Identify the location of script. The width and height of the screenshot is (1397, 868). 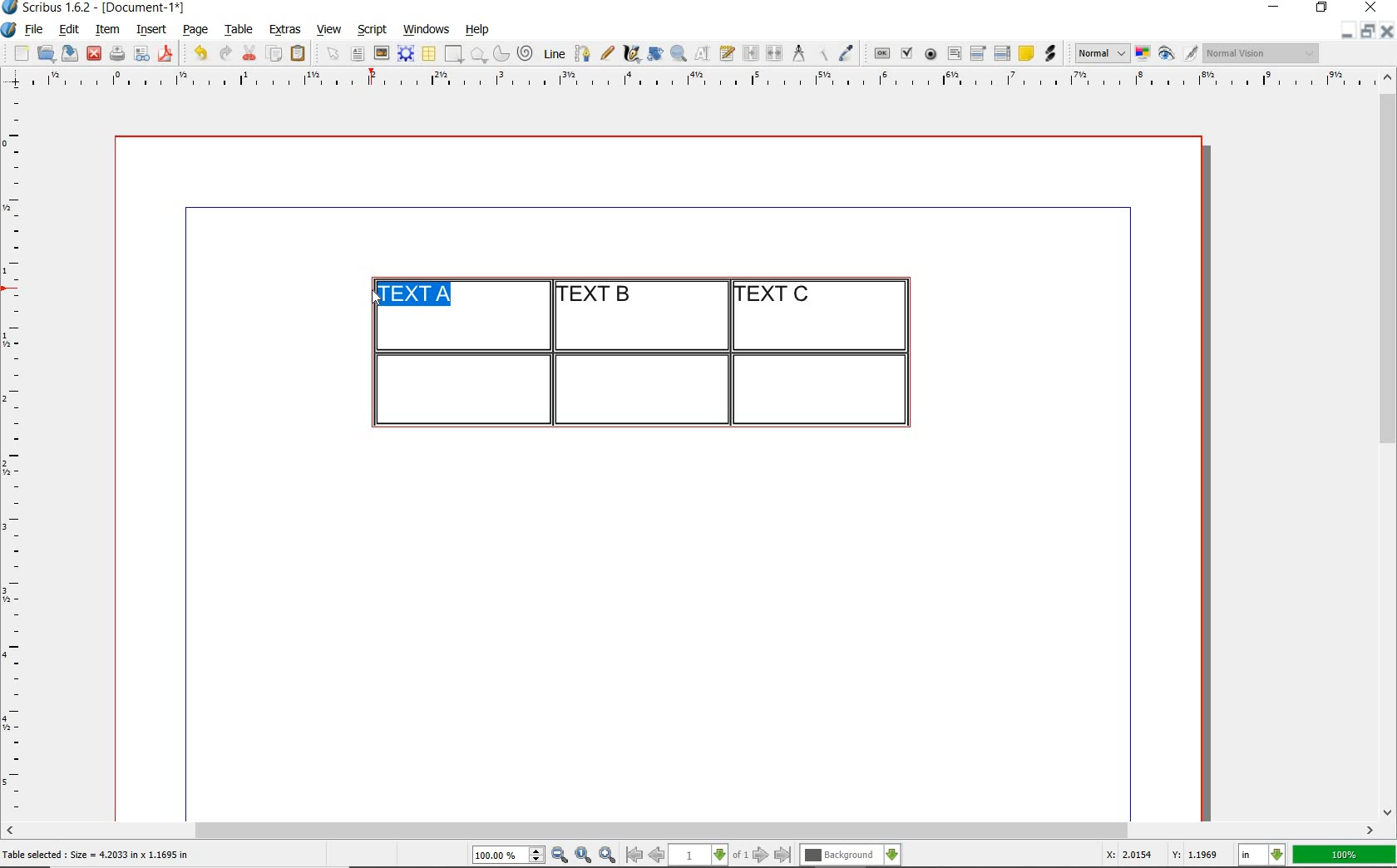
(372, 29).